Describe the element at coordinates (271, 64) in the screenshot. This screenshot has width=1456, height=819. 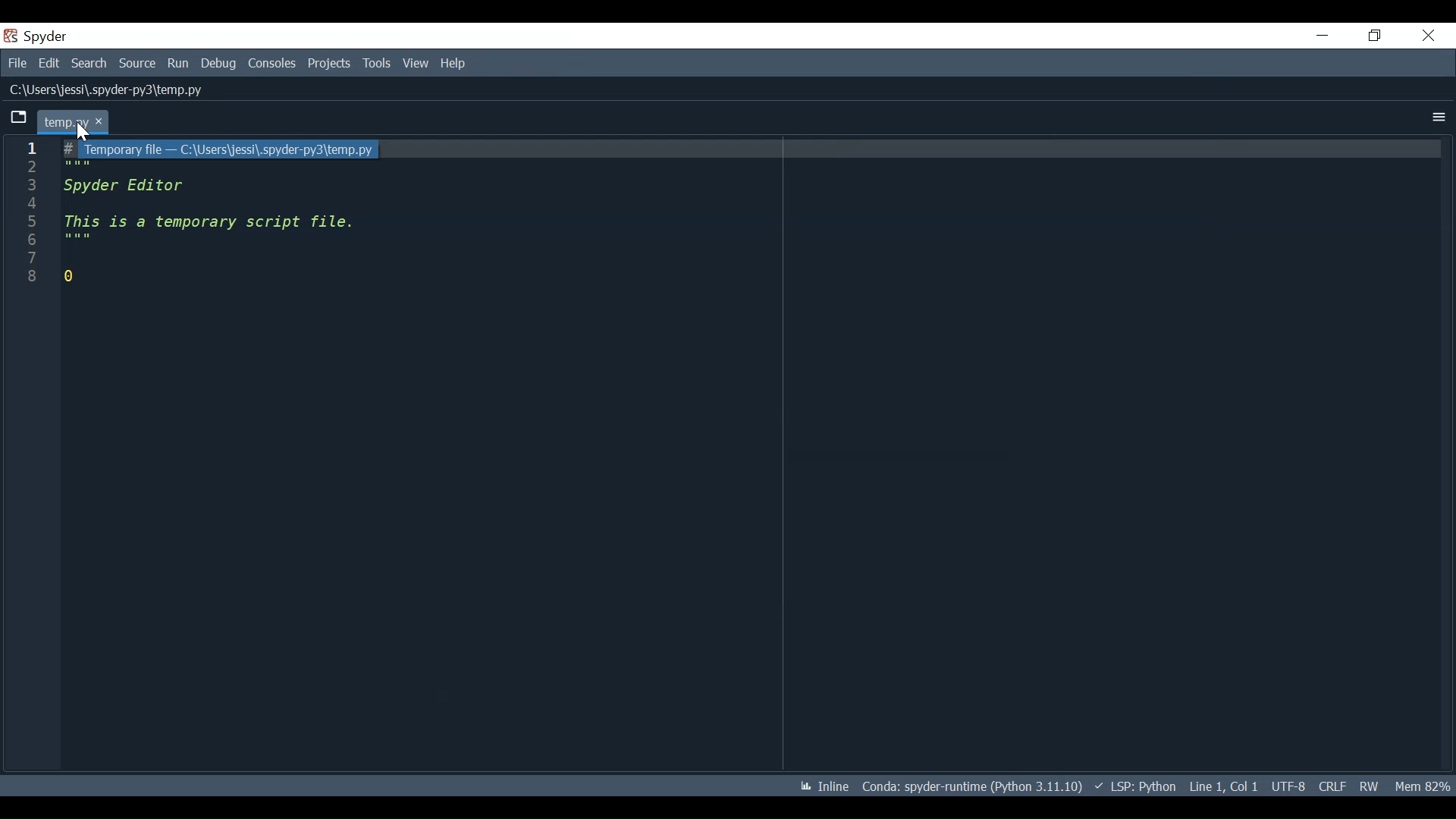
I see `Consoles` at that location.